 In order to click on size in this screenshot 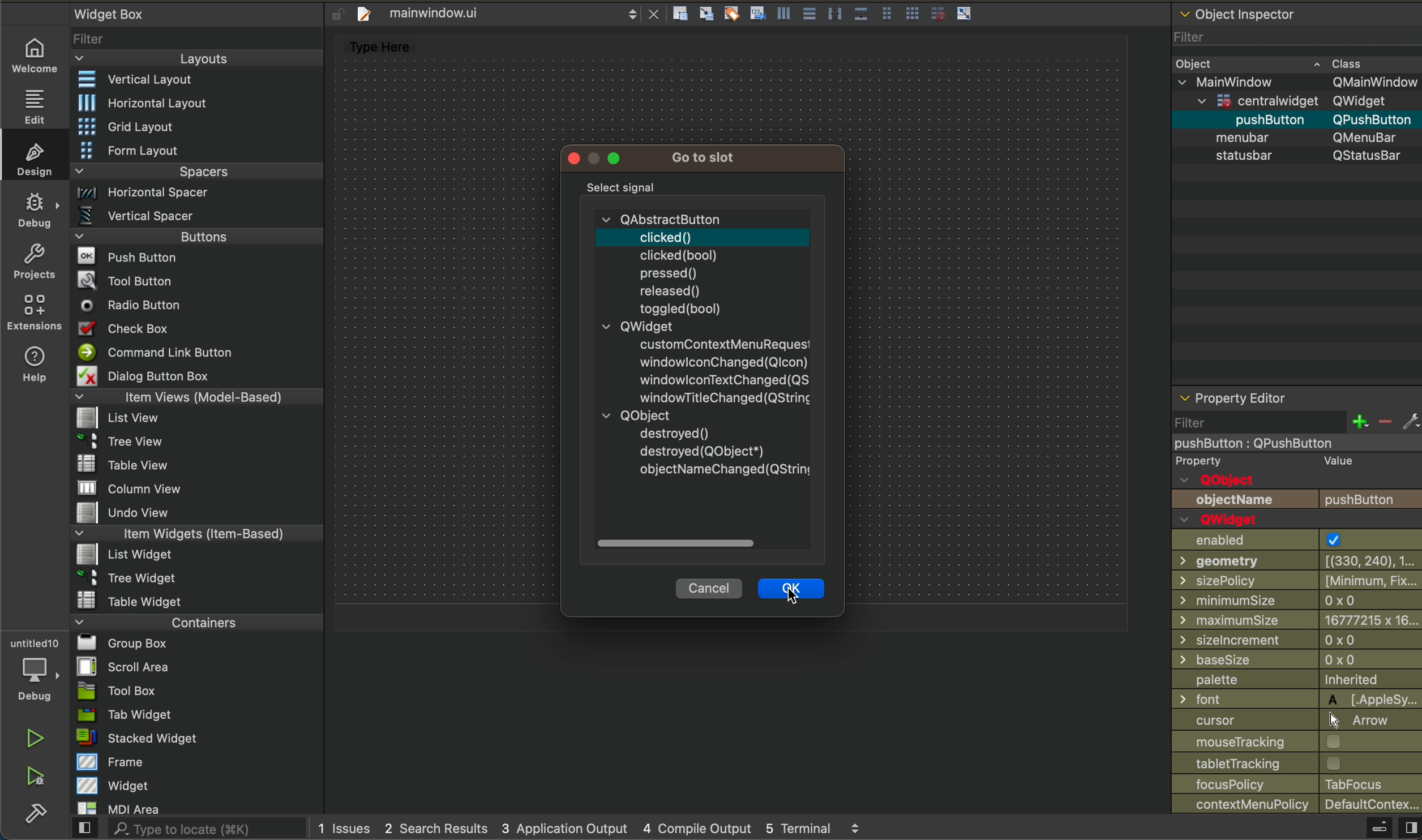, I will do `click(1297, 640)`.